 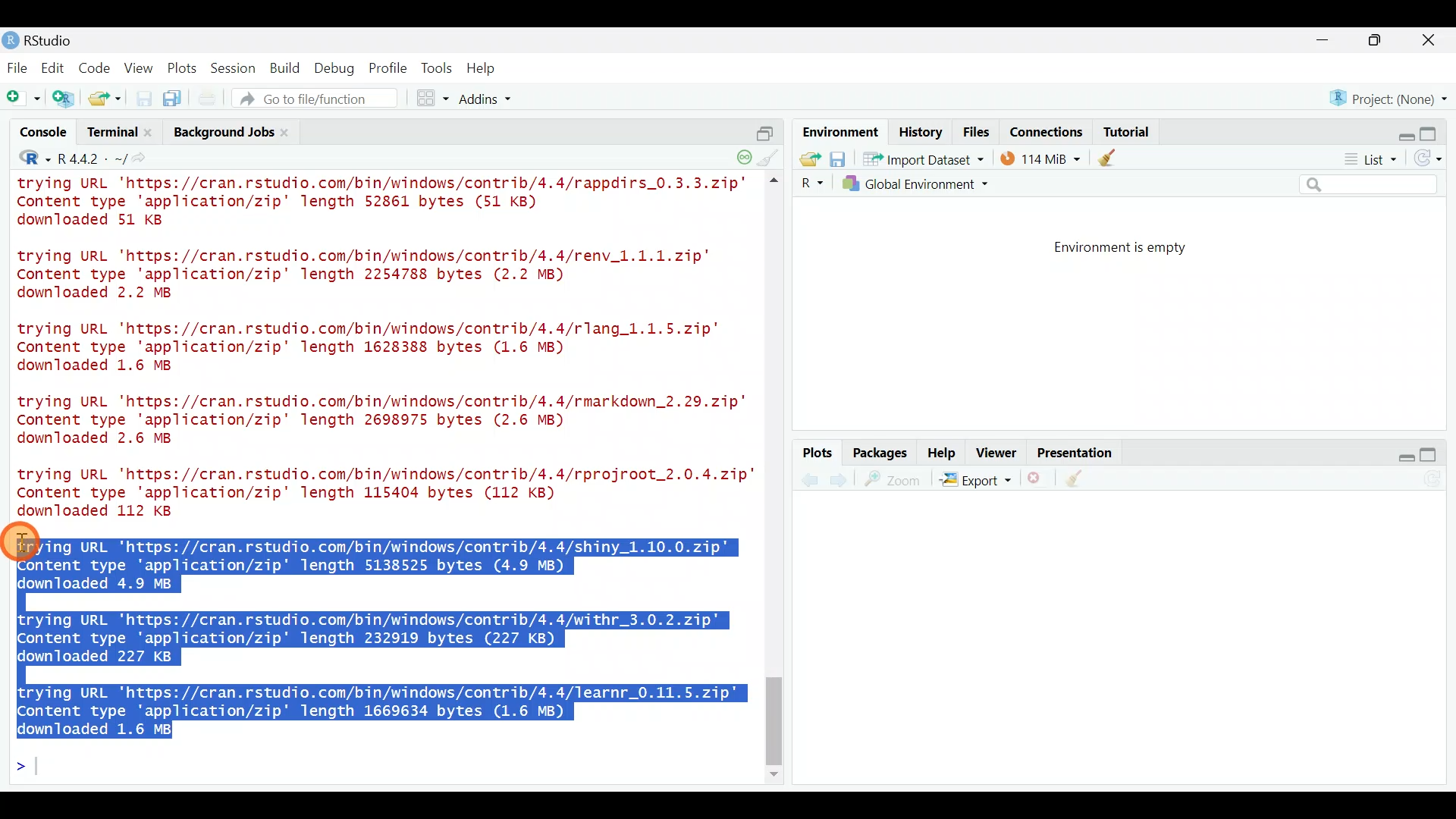 I want to click on Connections, so click(x=1047, y=130).